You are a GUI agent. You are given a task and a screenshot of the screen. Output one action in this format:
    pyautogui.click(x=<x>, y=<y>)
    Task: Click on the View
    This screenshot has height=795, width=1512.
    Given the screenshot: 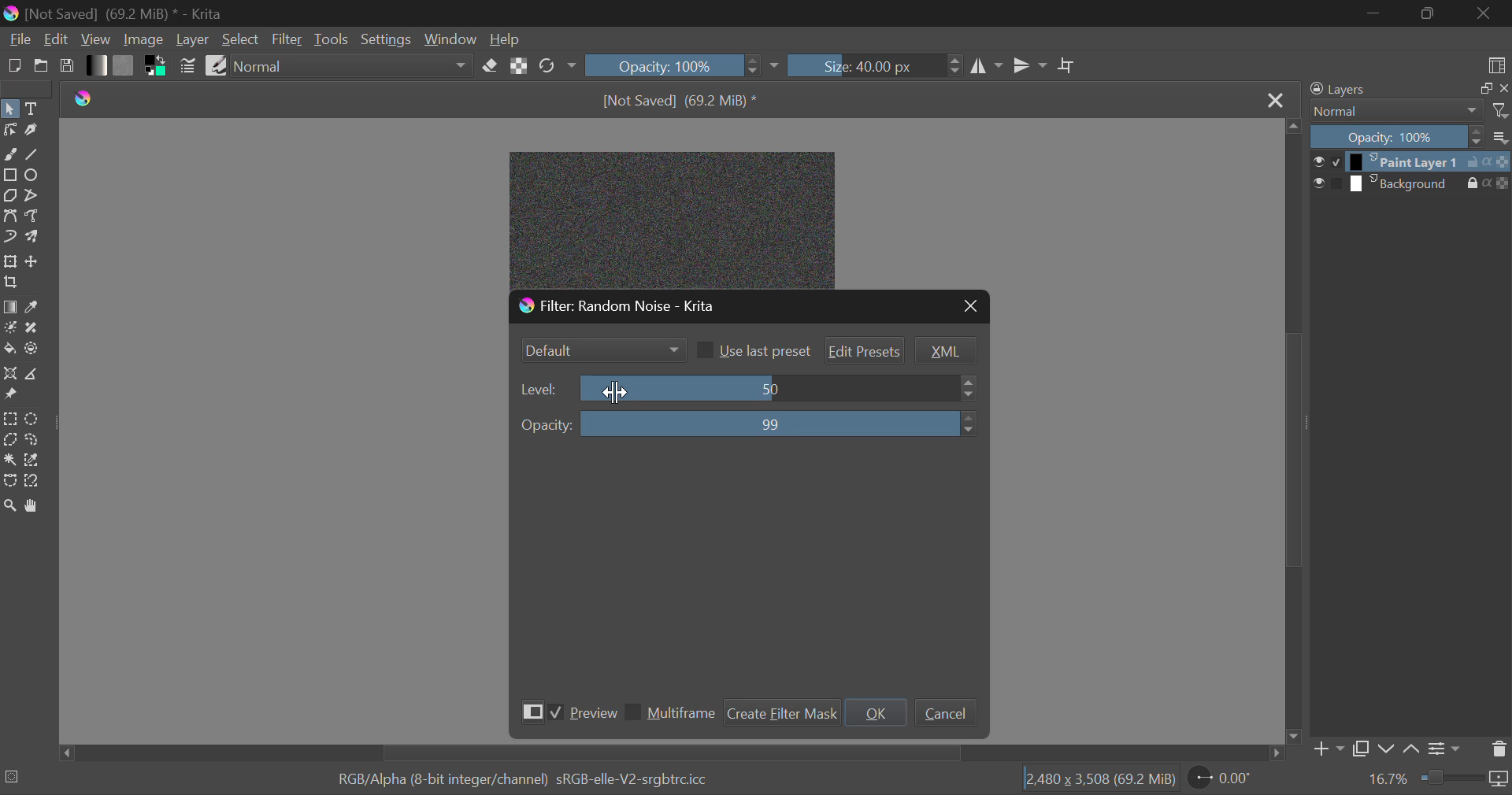 What is the action you would take?
    pyautogui.click(x=96, y=40)
    